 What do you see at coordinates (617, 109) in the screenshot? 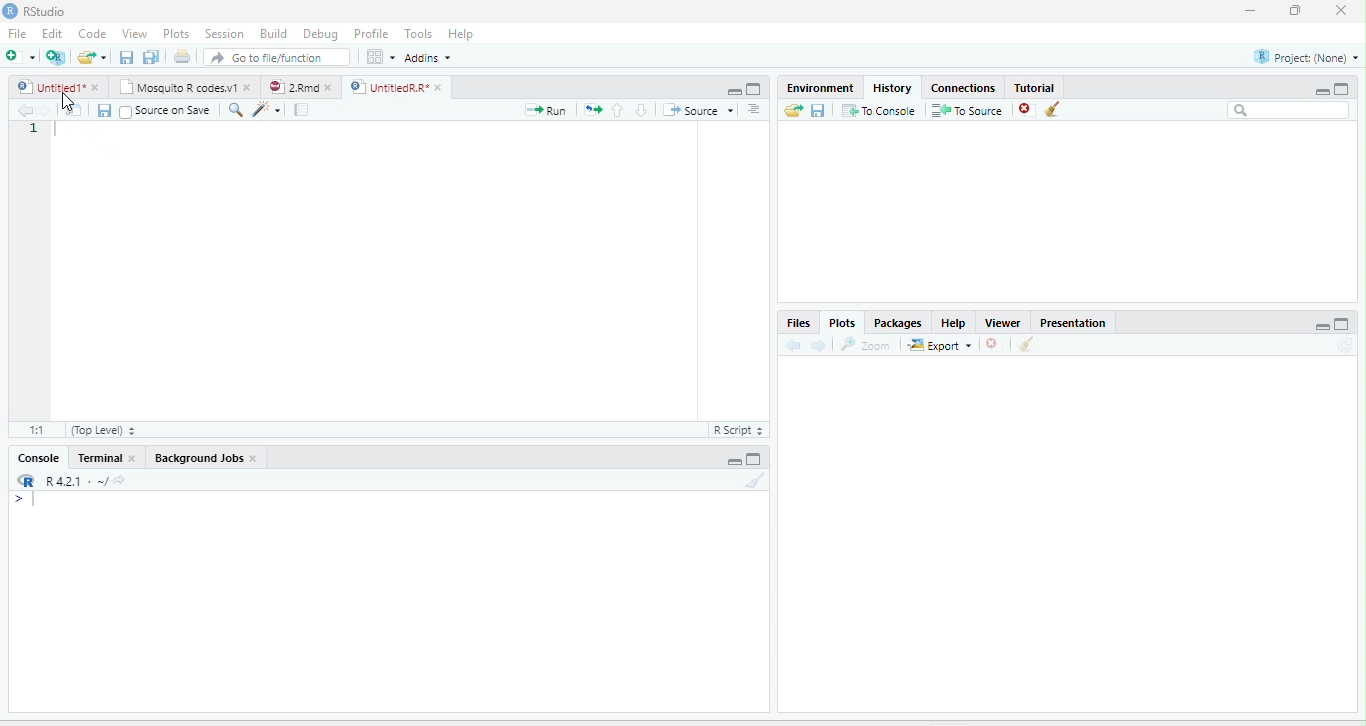
I see `Go to previous section/chunk` at bounding box center [617, 109].